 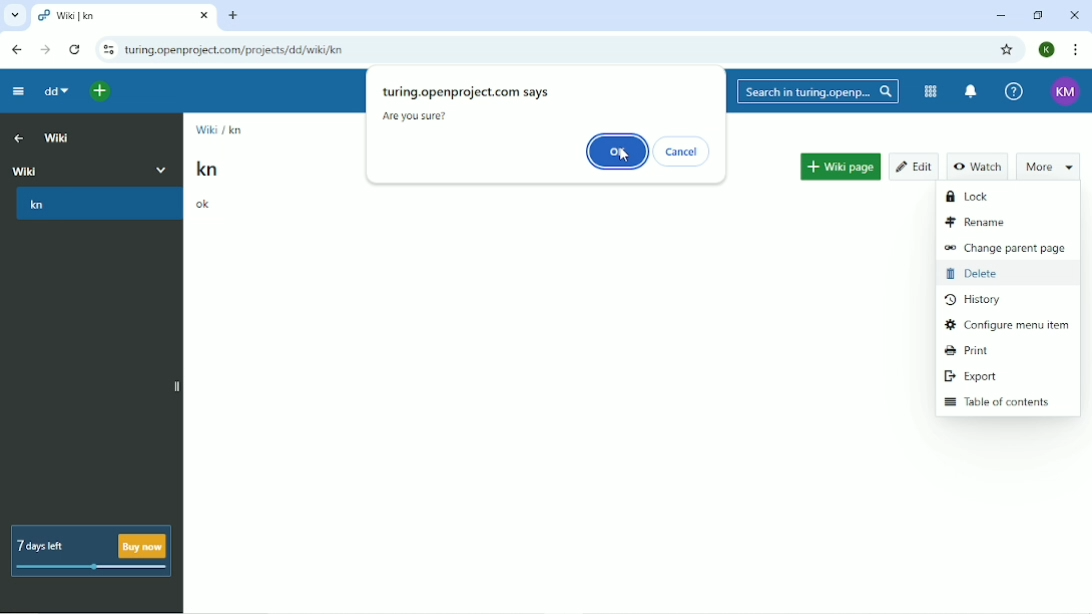 What do you see at coordinates (842, 162) in the screenshot?
I see `Wiki page` at bounding box center [842, 162].